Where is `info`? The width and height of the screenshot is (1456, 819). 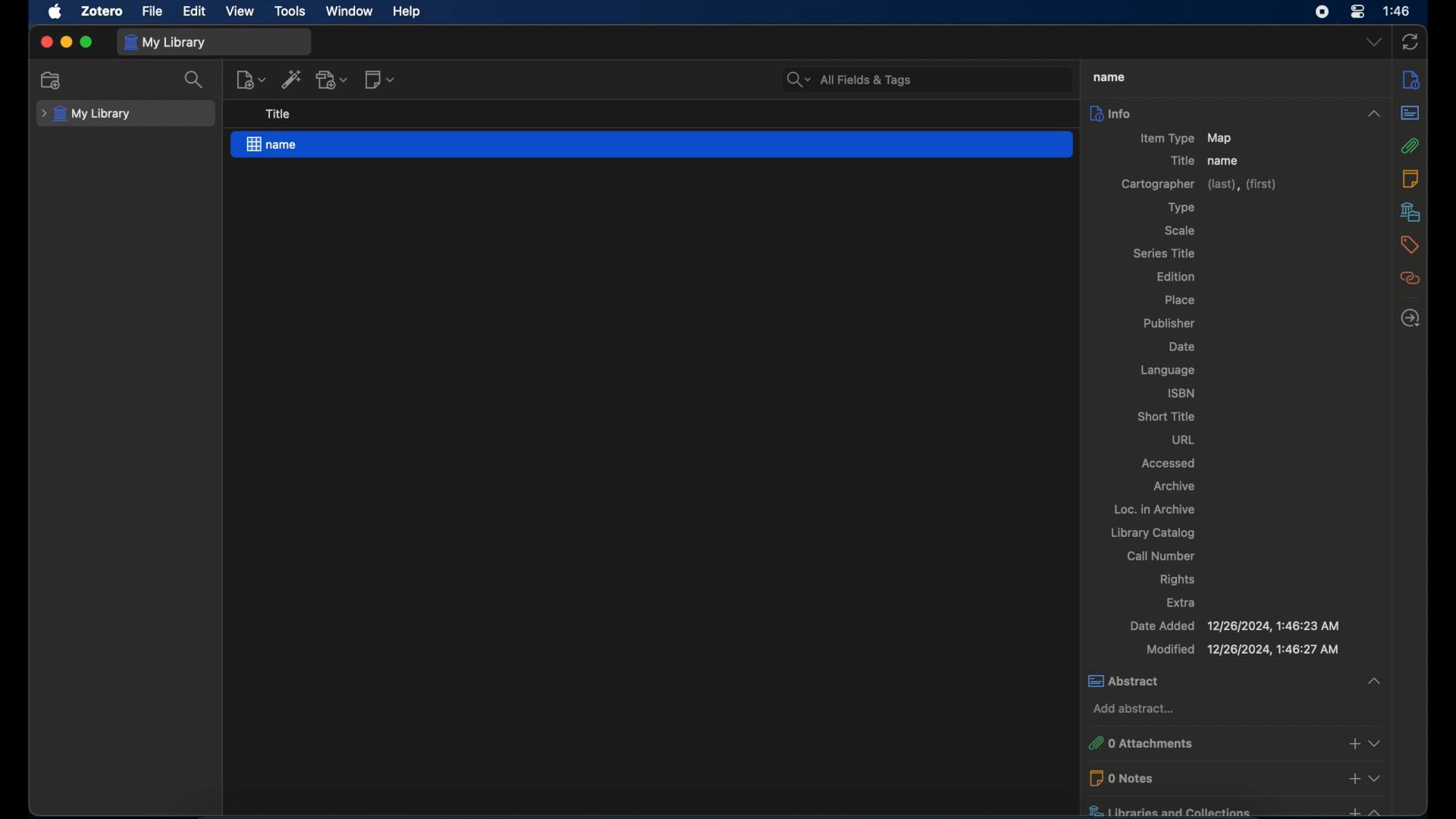
info is located at coordinates (1219, 114).